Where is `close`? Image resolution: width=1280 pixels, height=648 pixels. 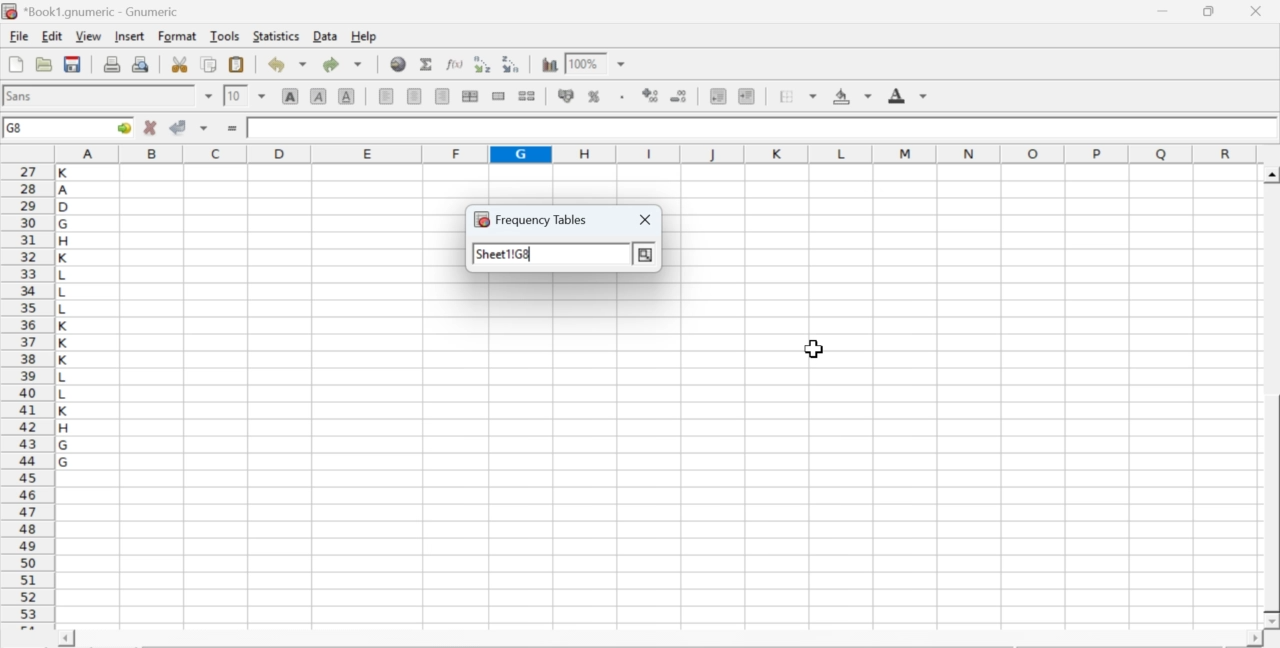 close is located at coordinates (1254, 11).